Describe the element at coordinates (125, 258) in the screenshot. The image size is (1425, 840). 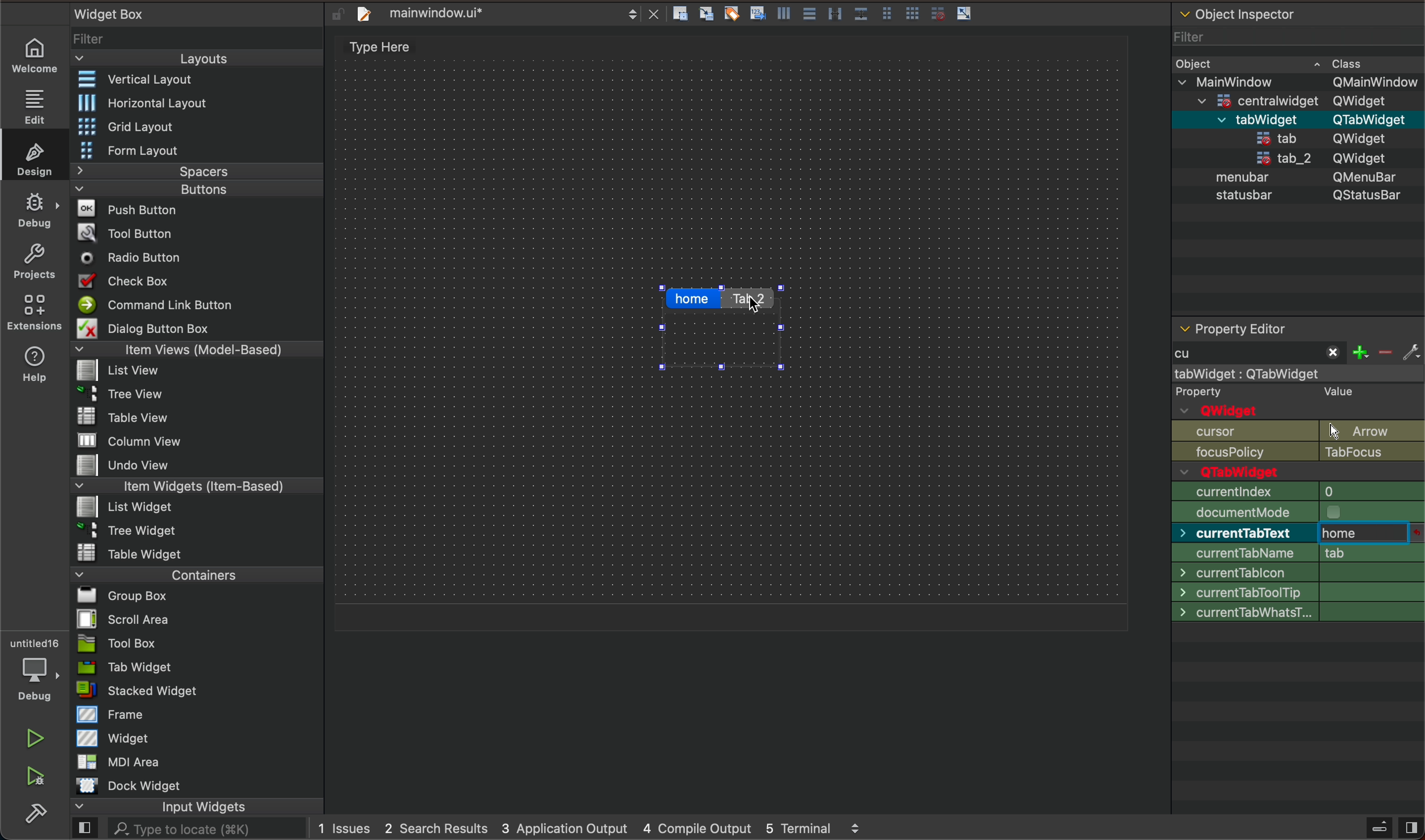
I see ` Radio Button` at that location.